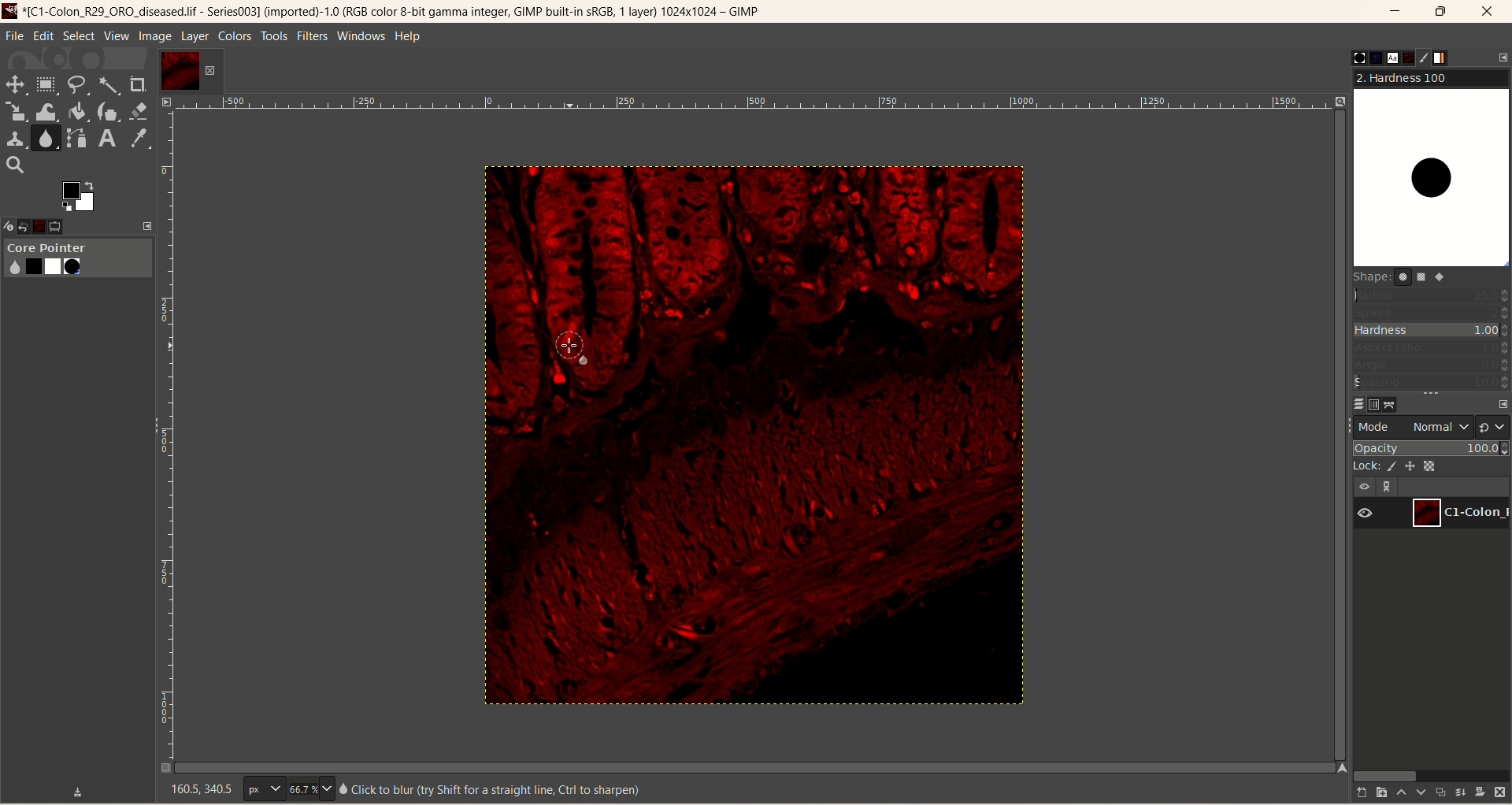  Describe the element at coordinates (13, 83) in the screenshot. I see `move tool` at that location.